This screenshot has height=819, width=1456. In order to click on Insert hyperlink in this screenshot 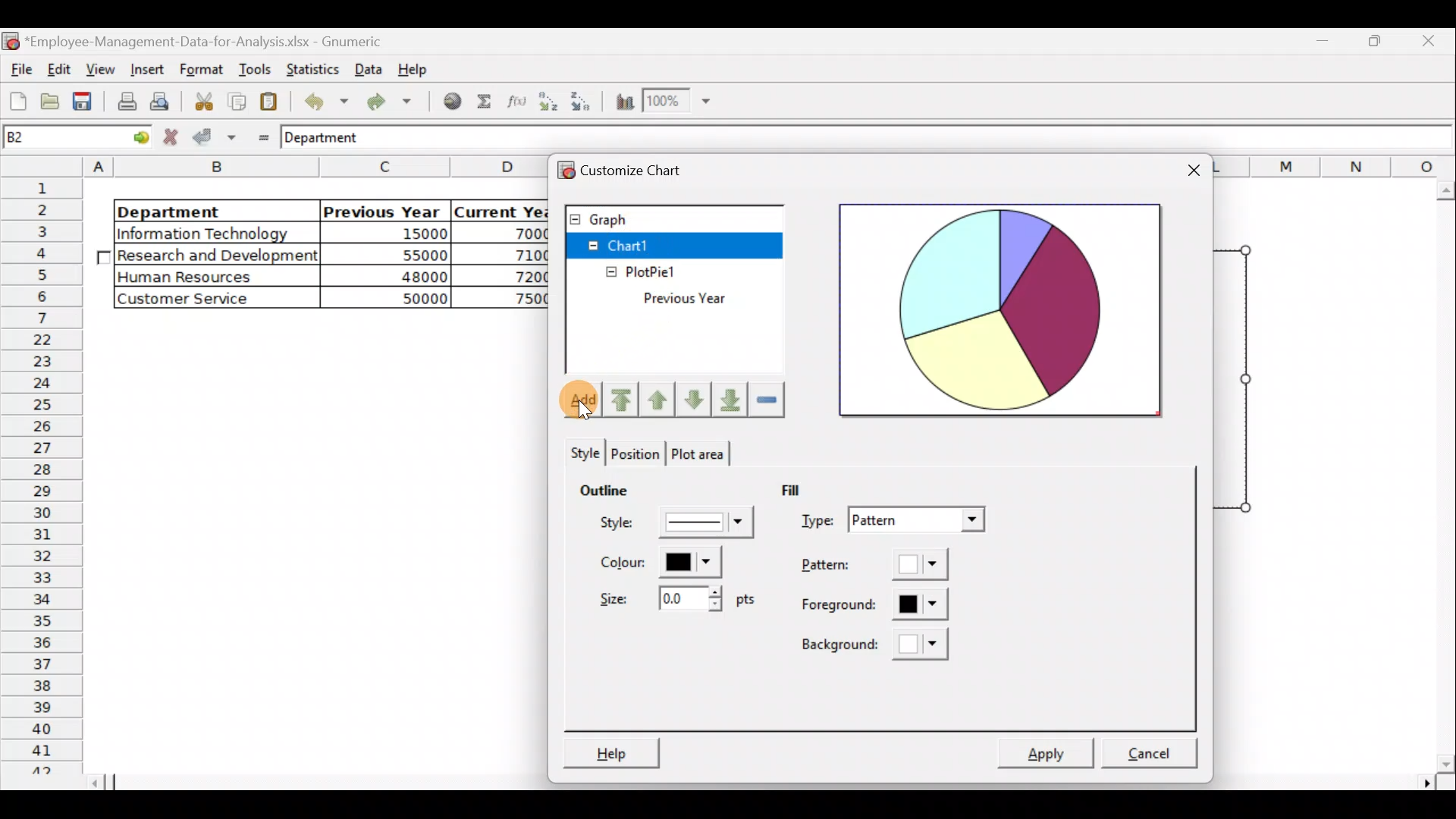, I will do `click(453, 102)`.